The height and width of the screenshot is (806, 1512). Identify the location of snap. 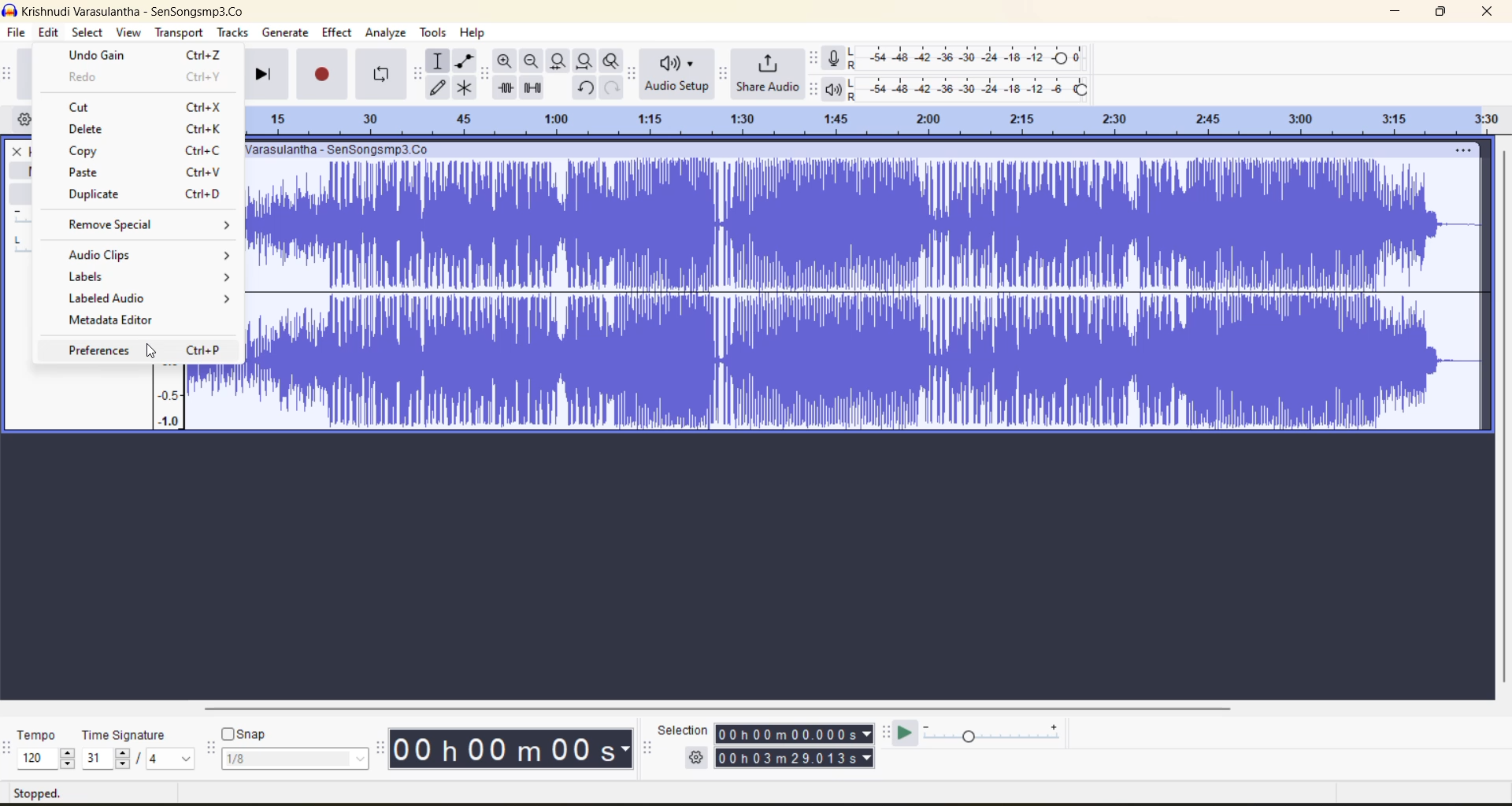
(294, 747).